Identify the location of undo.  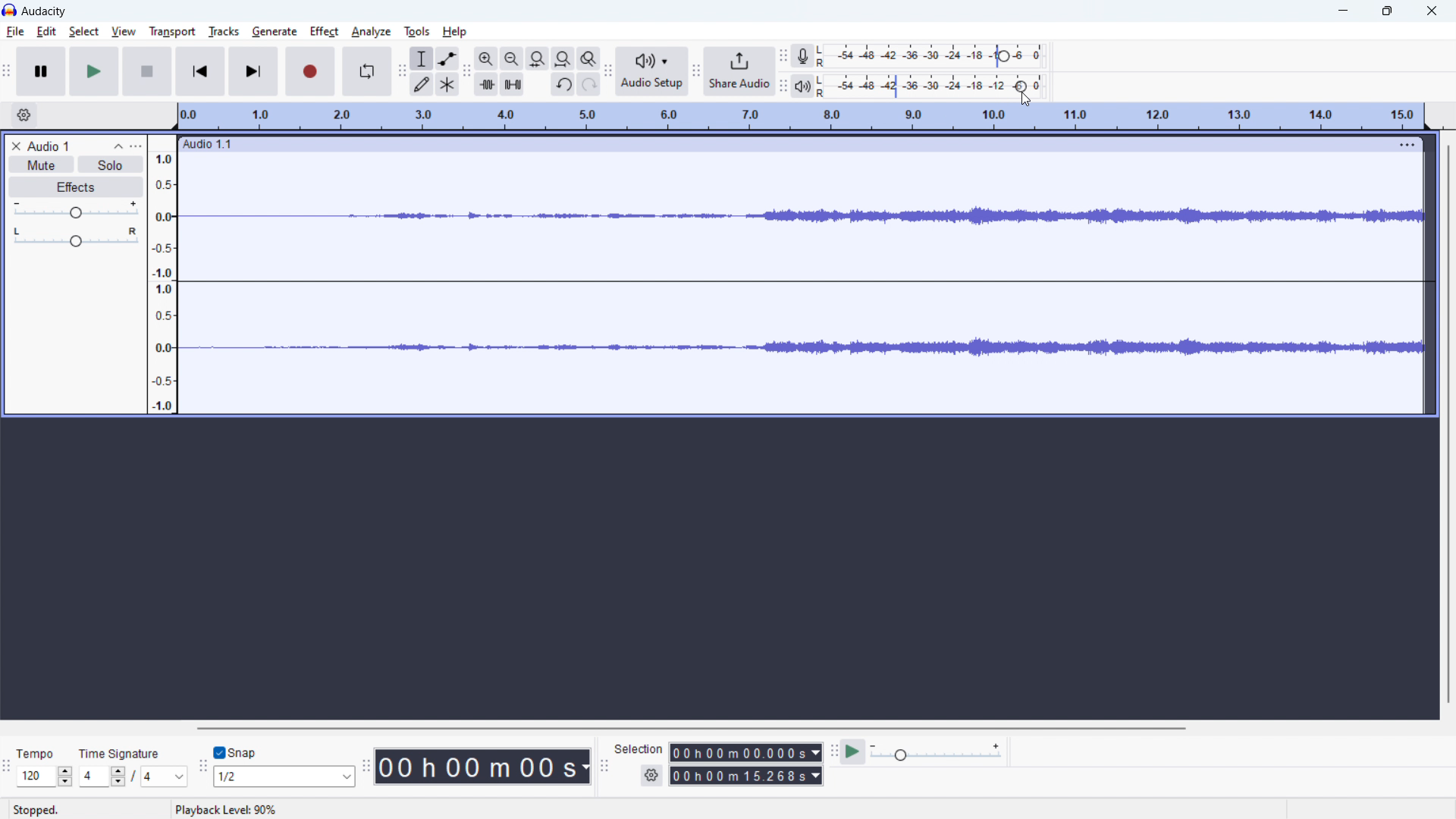
(562, 85).